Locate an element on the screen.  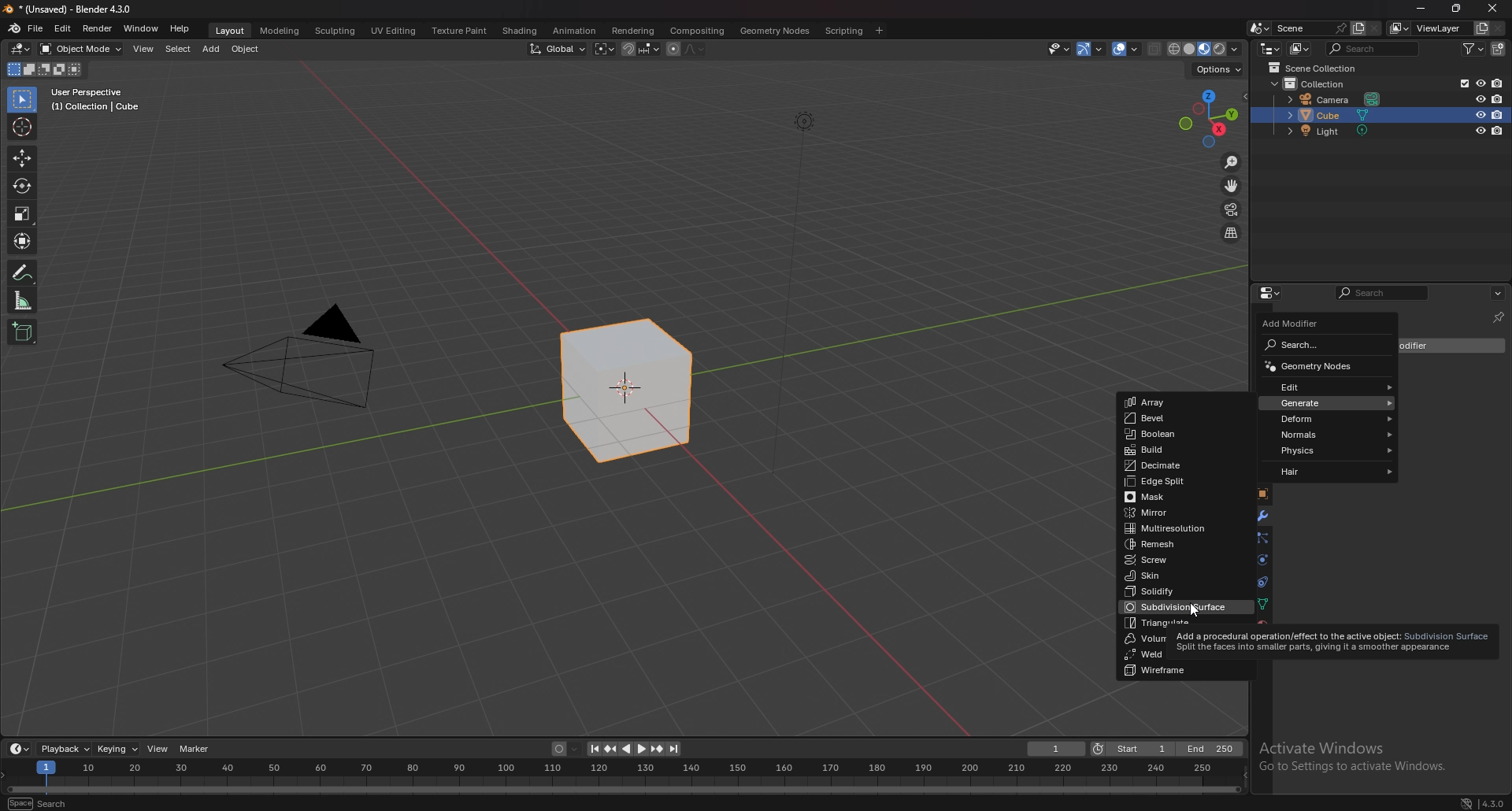
object mode is located at coordinates (81, 48).